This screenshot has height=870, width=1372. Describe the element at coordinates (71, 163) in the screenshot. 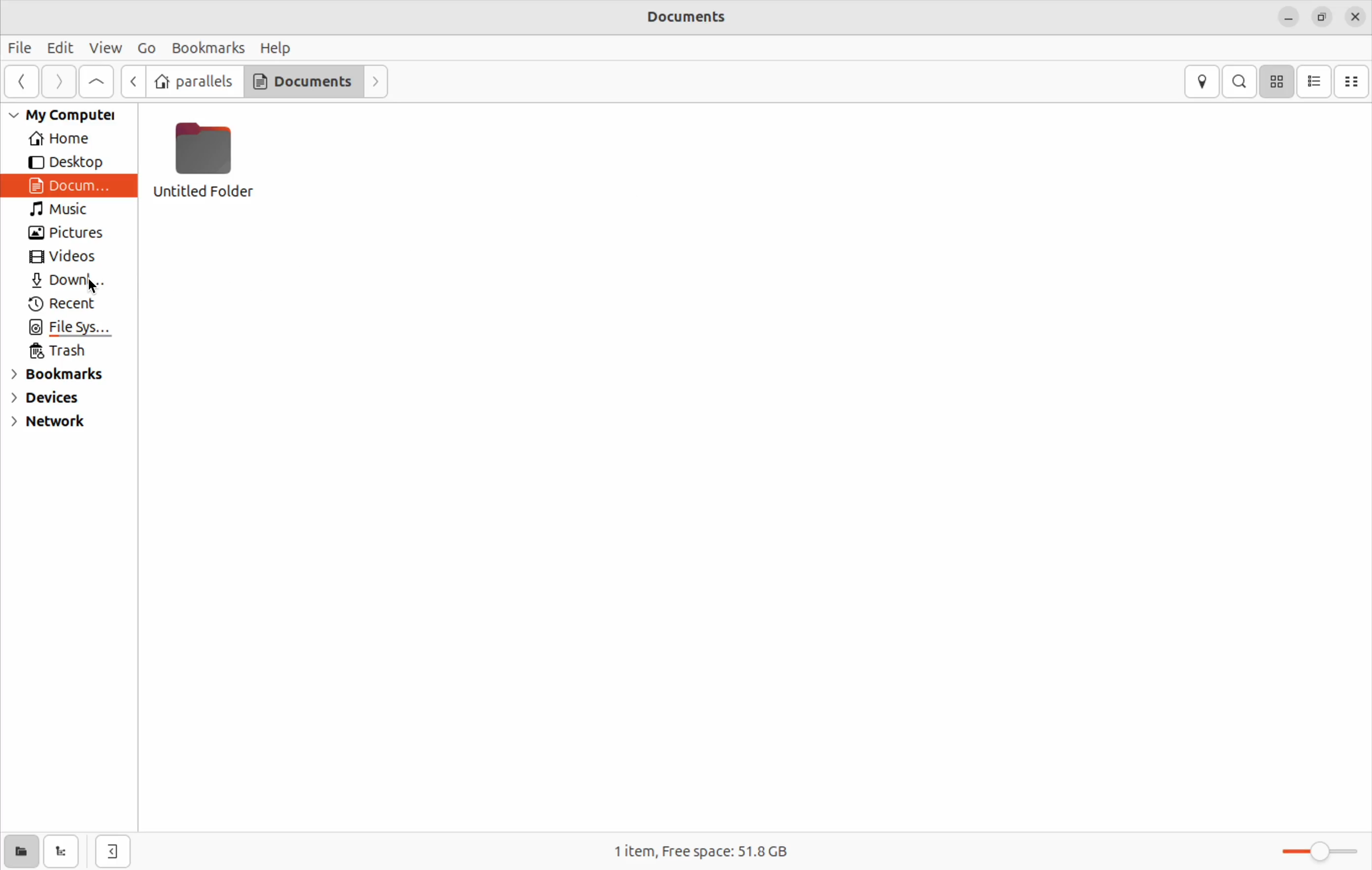

I see `desktop` at that location.